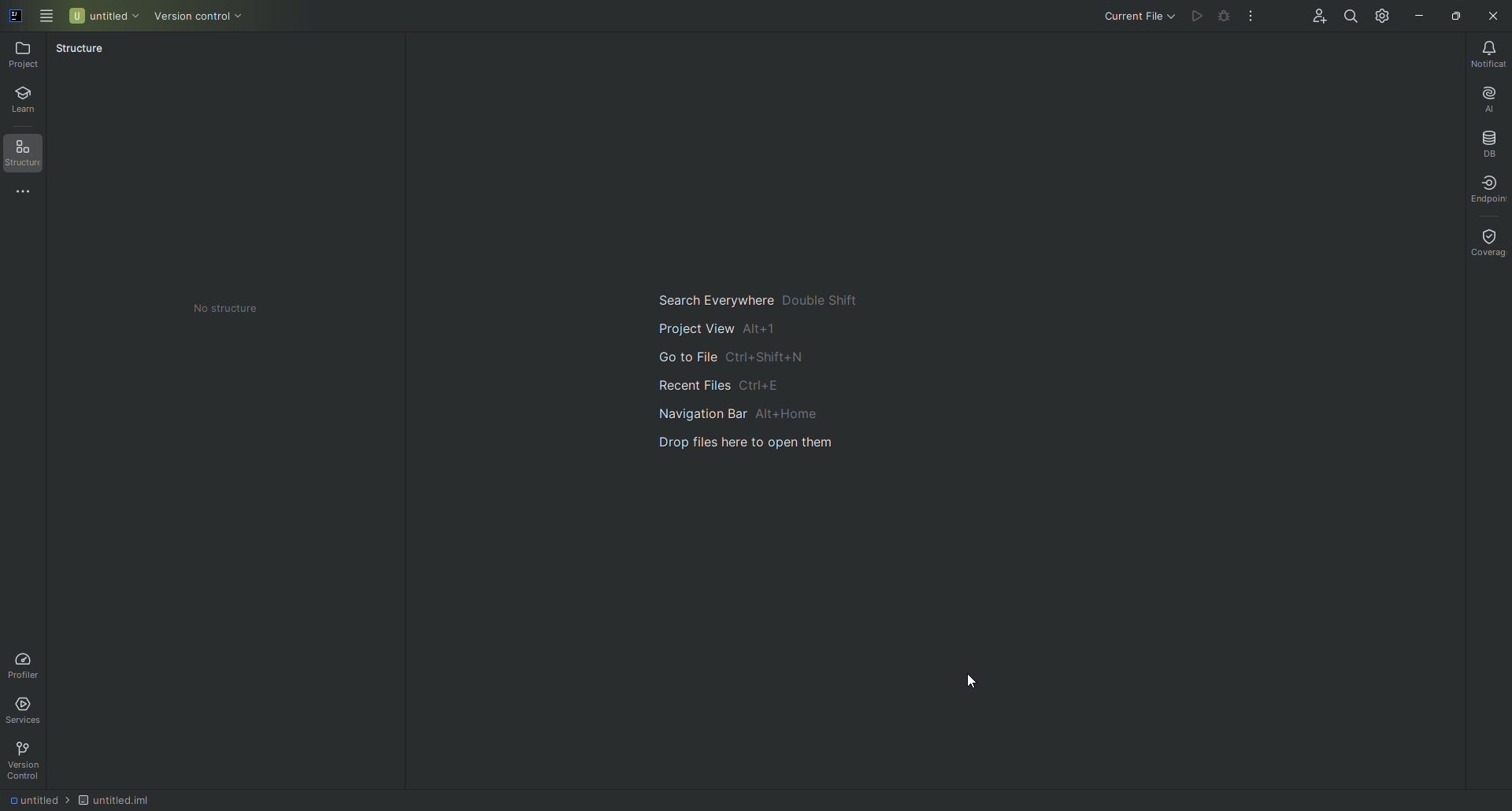 This screenshot has height=811, width=1512. I want to click on Untitled, so click(103, 16).